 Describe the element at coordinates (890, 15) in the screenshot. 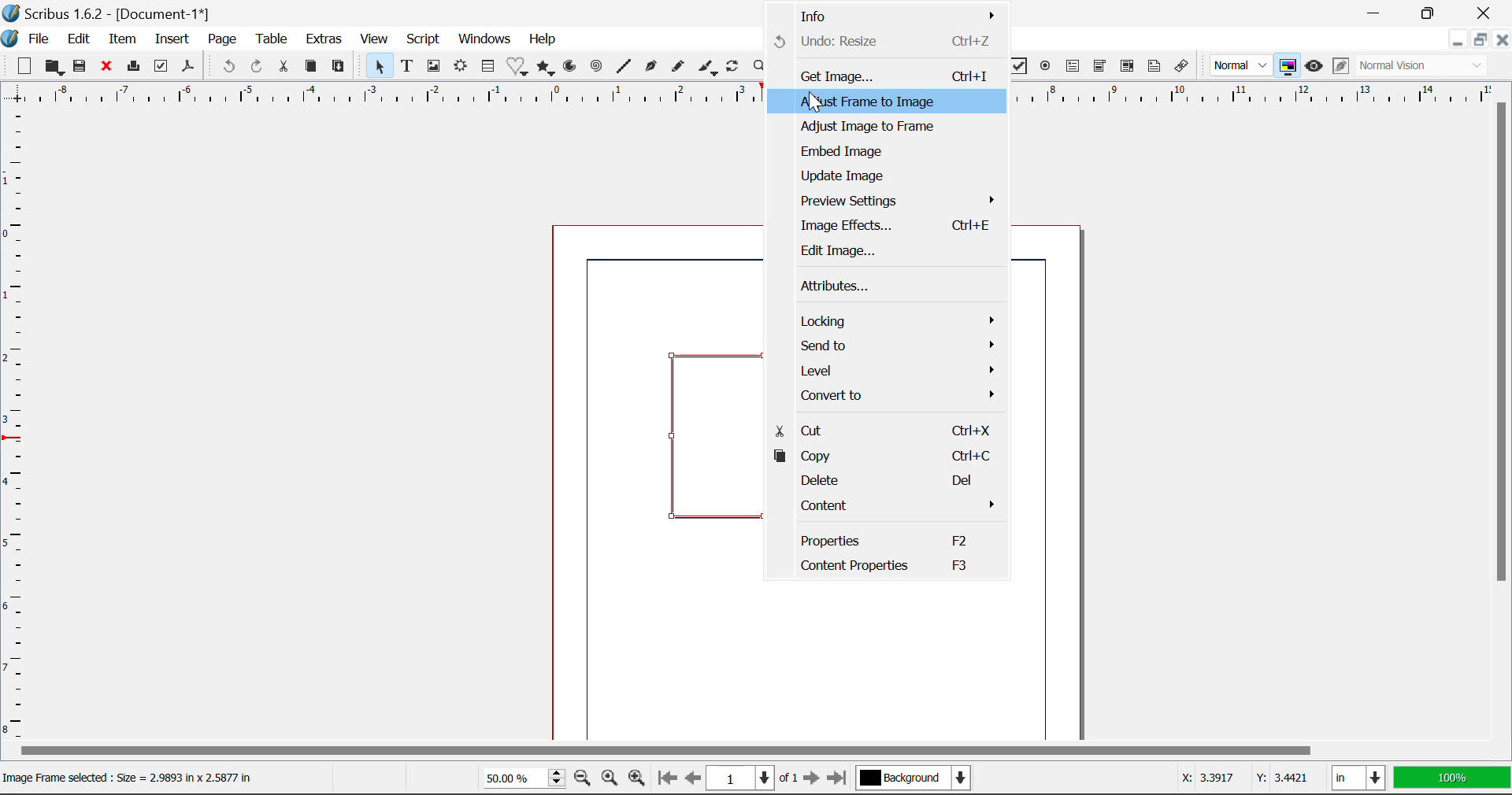

I see `Info` at that location.